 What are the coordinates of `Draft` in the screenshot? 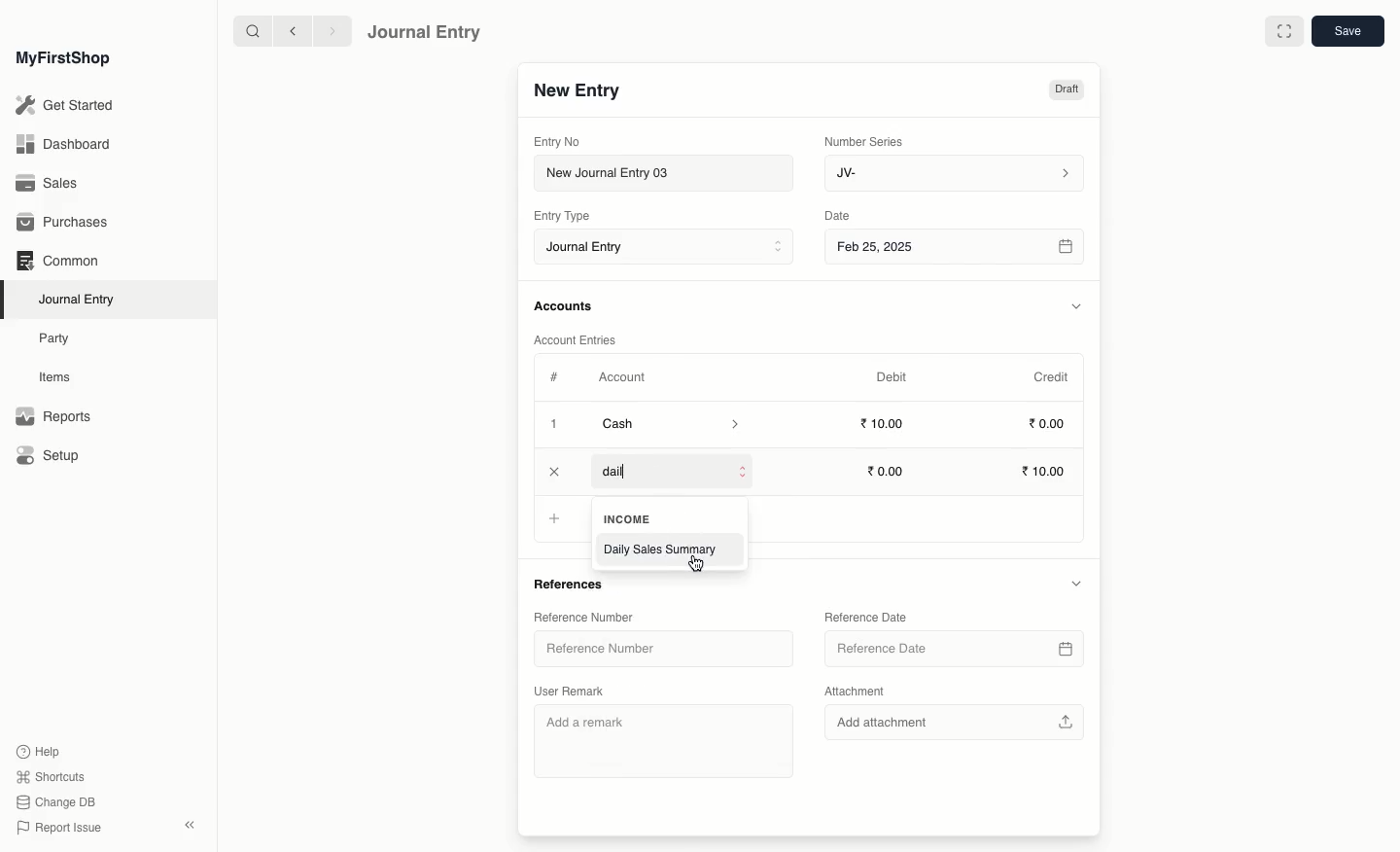 It's located at (1066, 91).